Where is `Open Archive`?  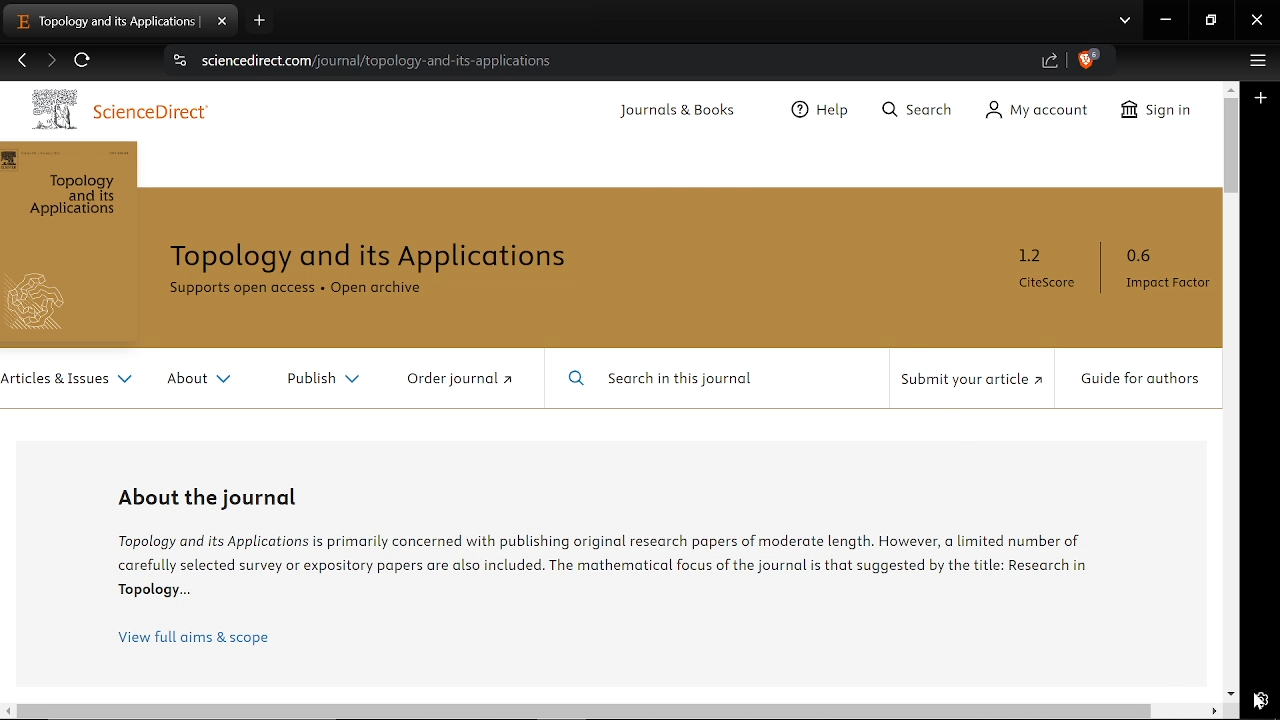 Open Archive is located at coordinates (378, 289).